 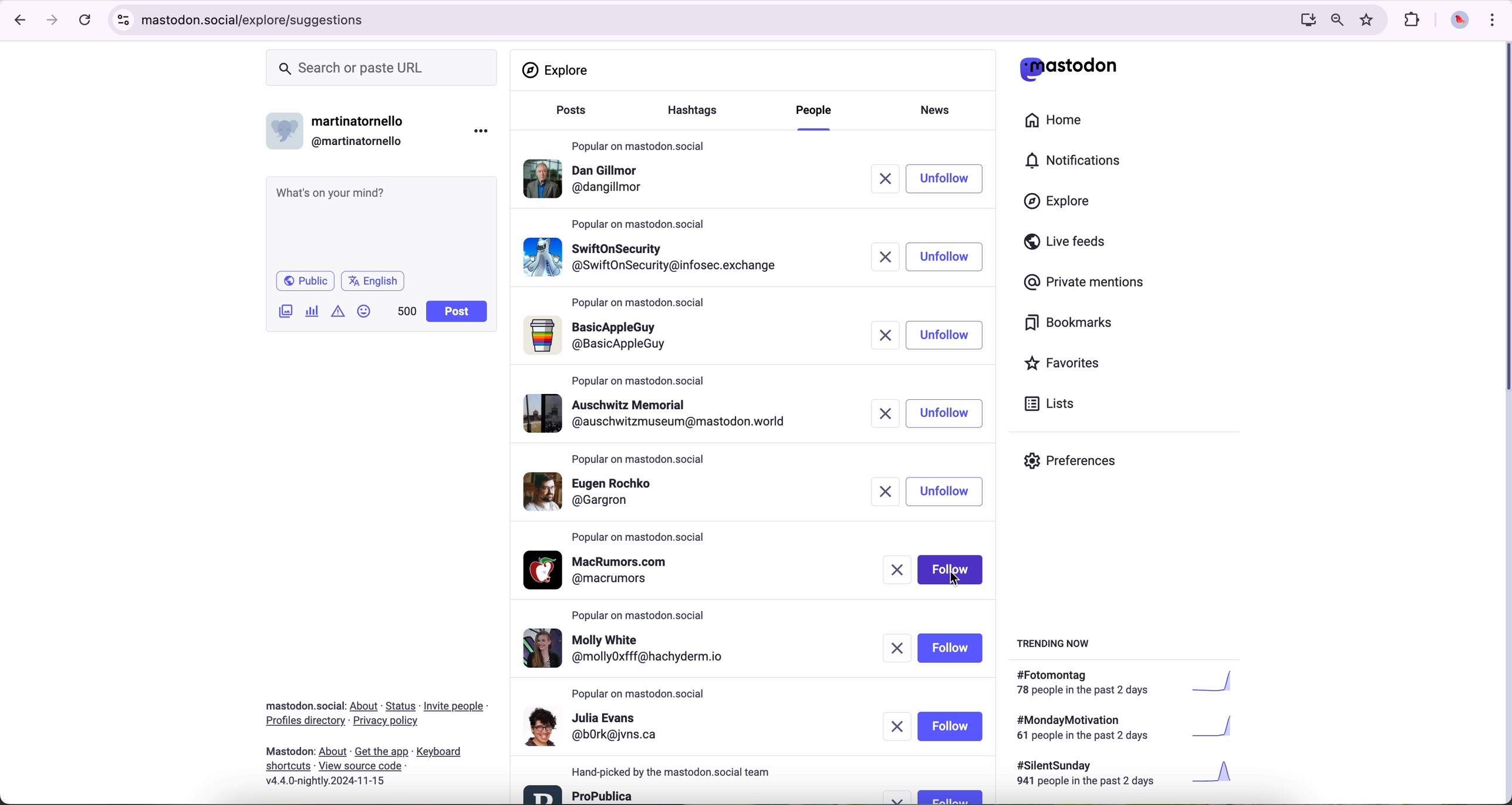 I want to click on profile, so click(x=595, y=726).